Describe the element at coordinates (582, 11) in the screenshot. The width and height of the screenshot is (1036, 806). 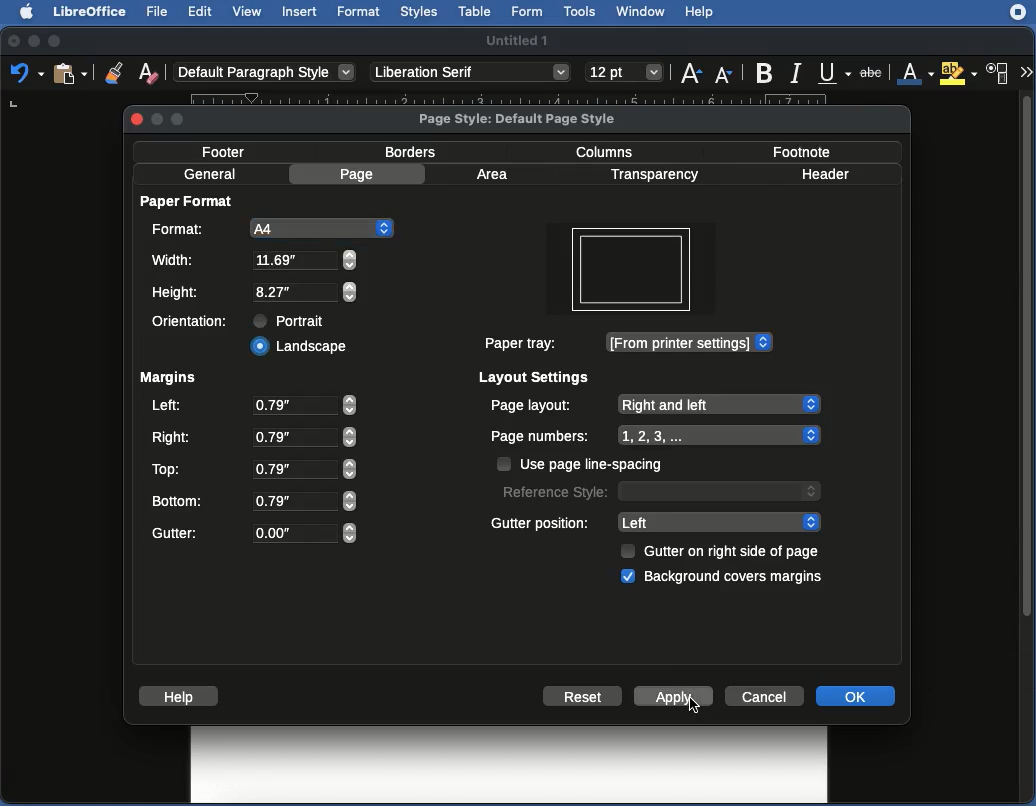
I see `Tools` at that location.